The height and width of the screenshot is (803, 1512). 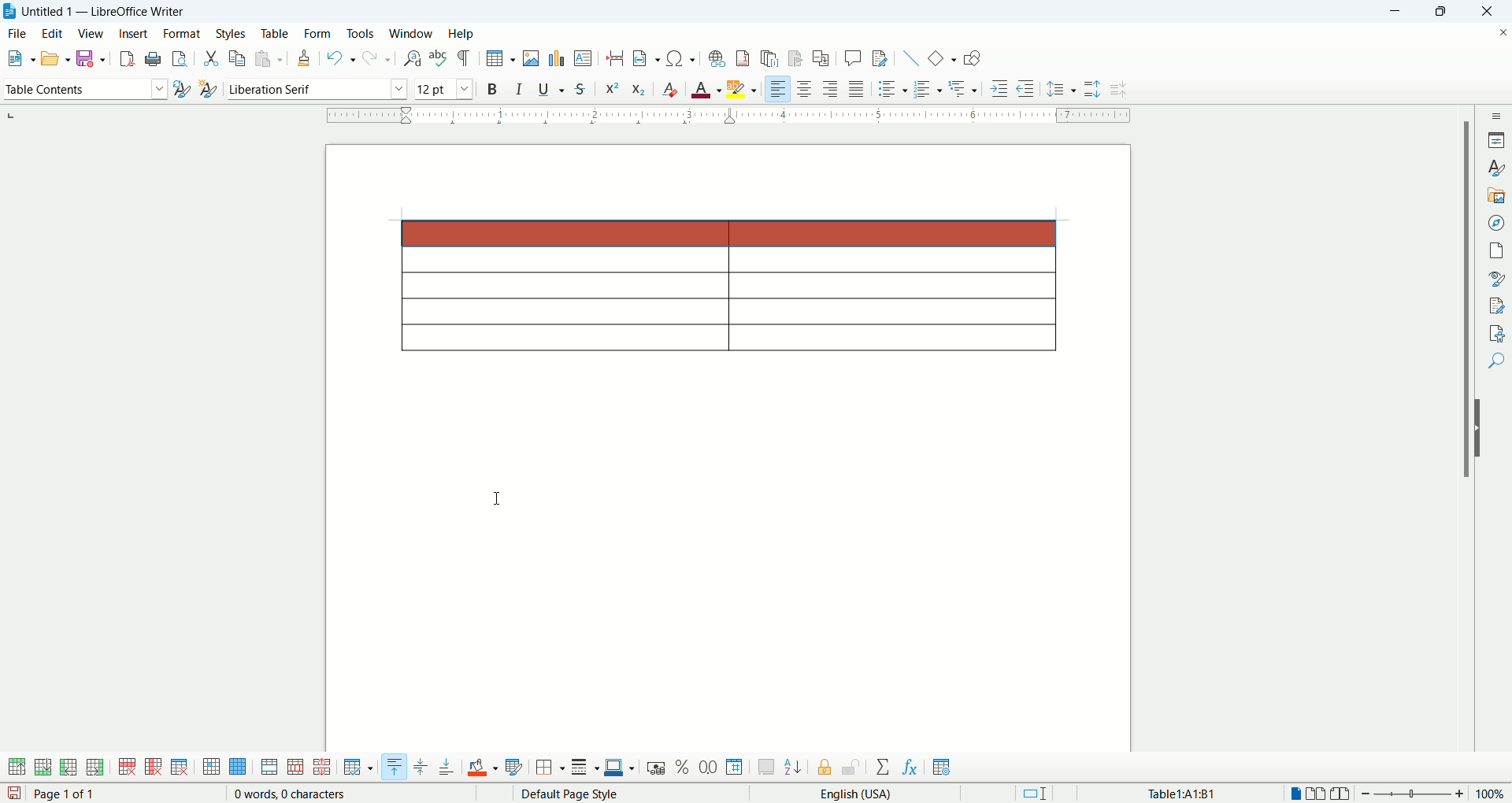 What do you see at coordinates (1497, 363) in the screenshot?
I see `find` at bounding box center [1497, 363].